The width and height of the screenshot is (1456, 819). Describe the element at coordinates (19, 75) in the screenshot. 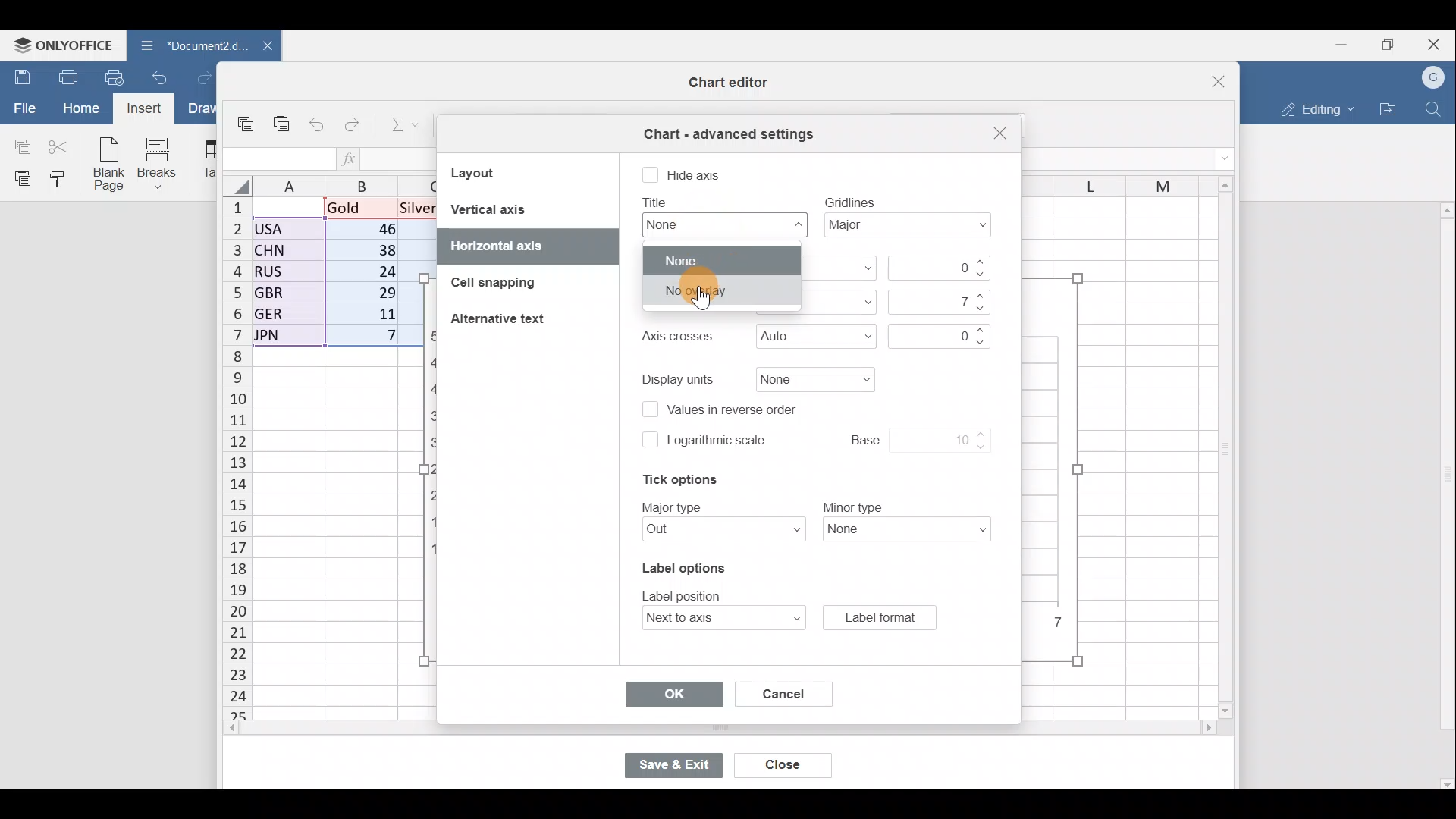

I see `Save` at that location.